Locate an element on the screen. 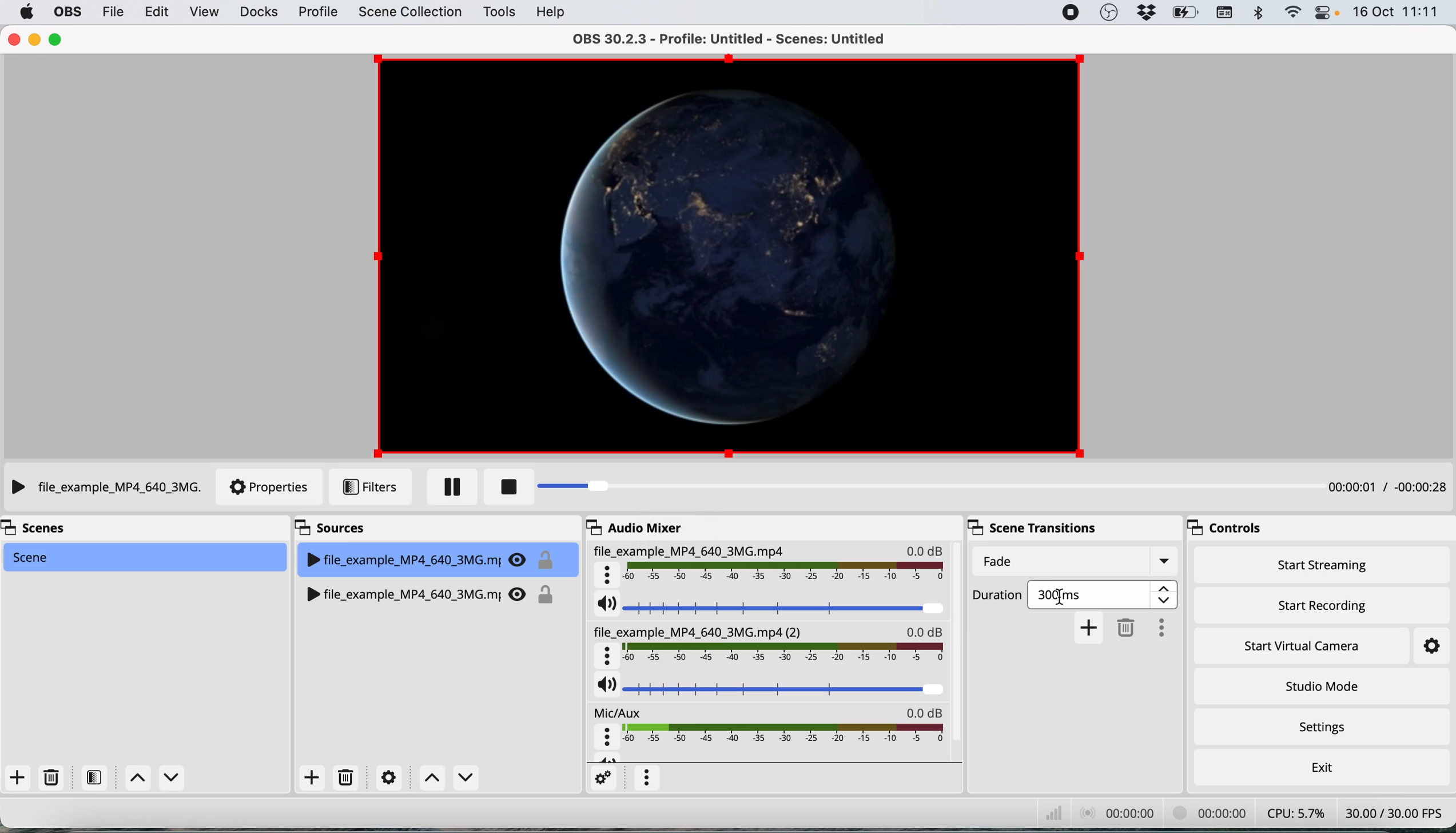  audio mixer is located at coordinates (645, 529).